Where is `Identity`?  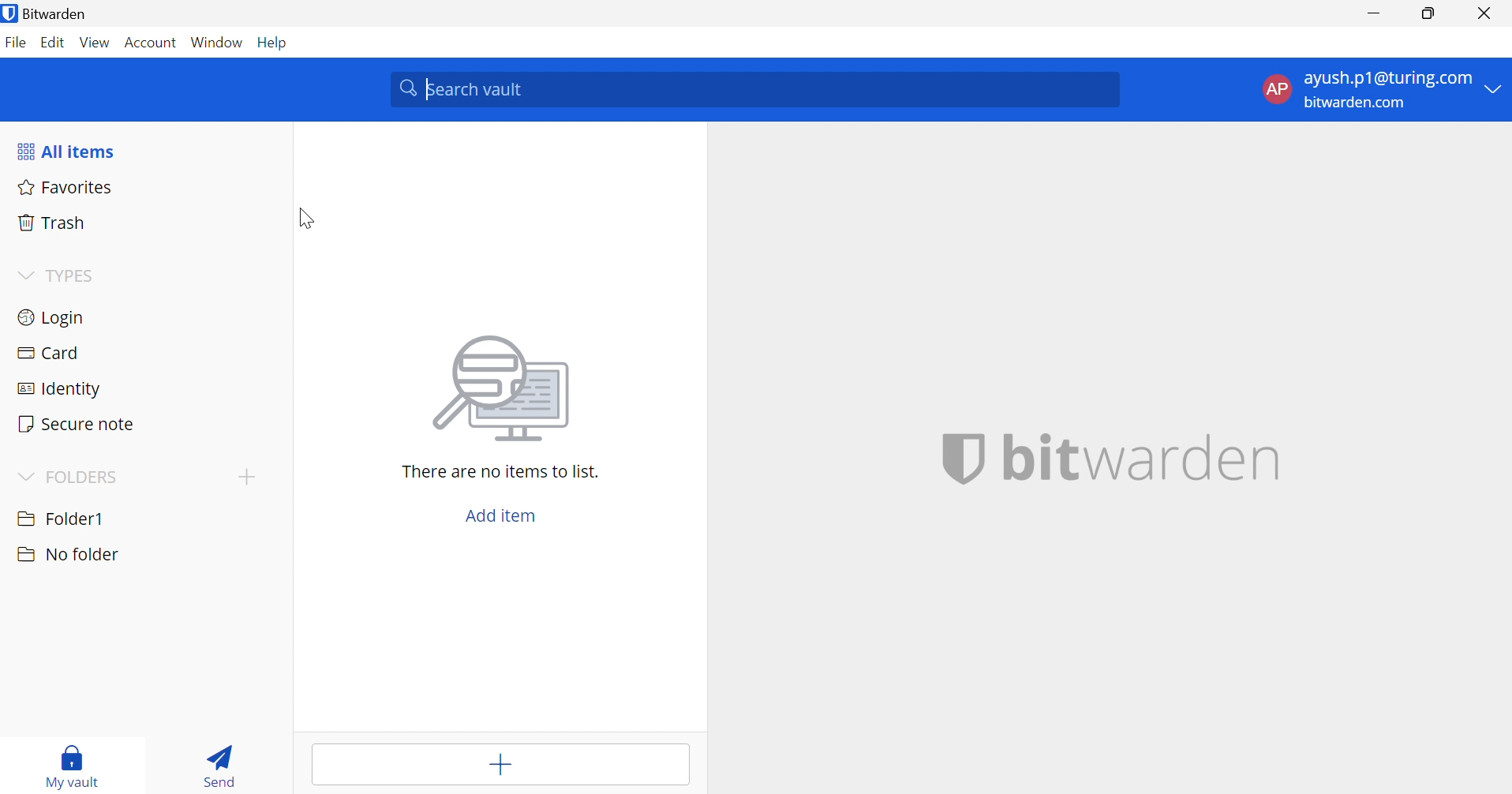
Identity is located at coordinates (60, 388).